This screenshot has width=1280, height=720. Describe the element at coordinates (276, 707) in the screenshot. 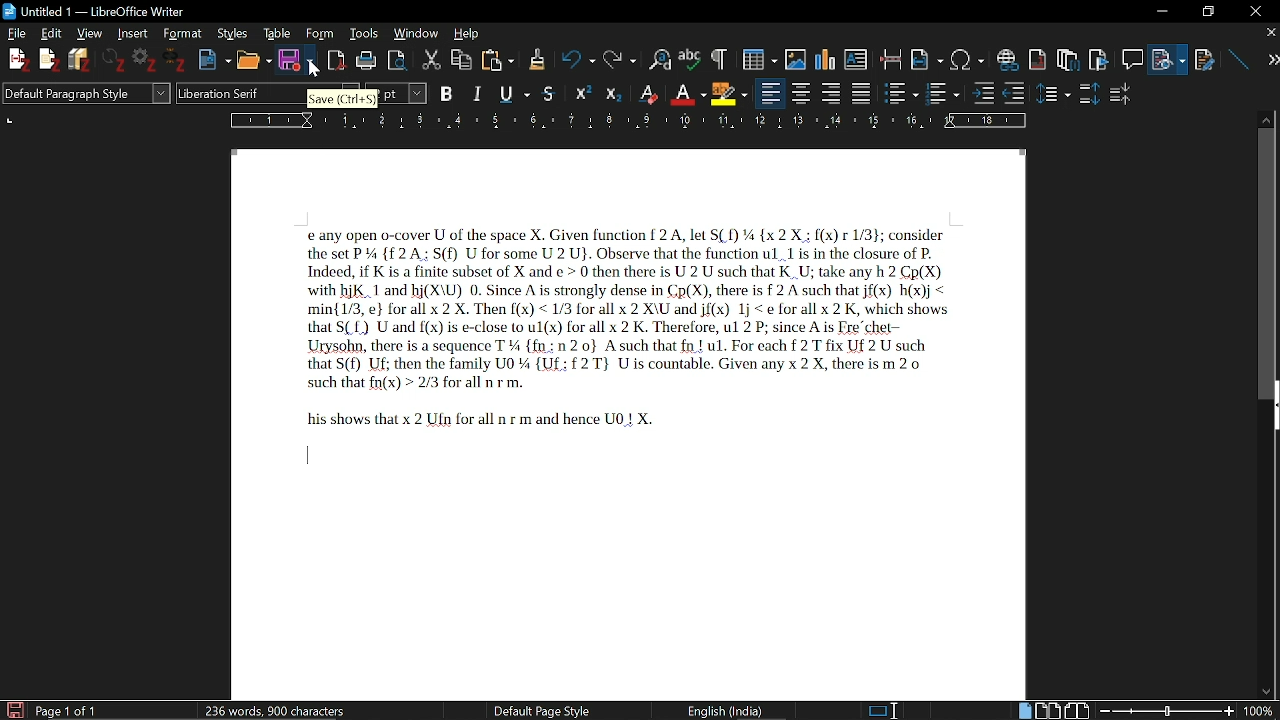

I see `236 words, 900 characters` at that location.